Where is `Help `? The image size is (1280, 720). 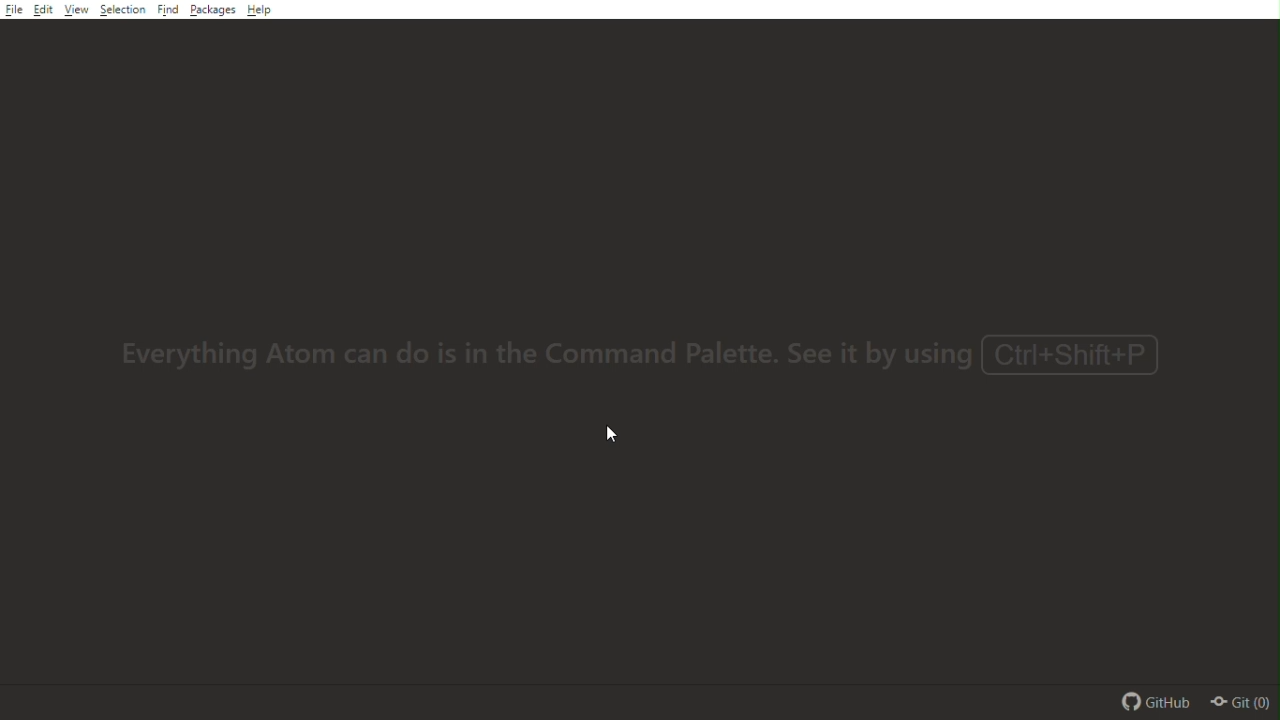
Help  is located at coordinates (259, 11).